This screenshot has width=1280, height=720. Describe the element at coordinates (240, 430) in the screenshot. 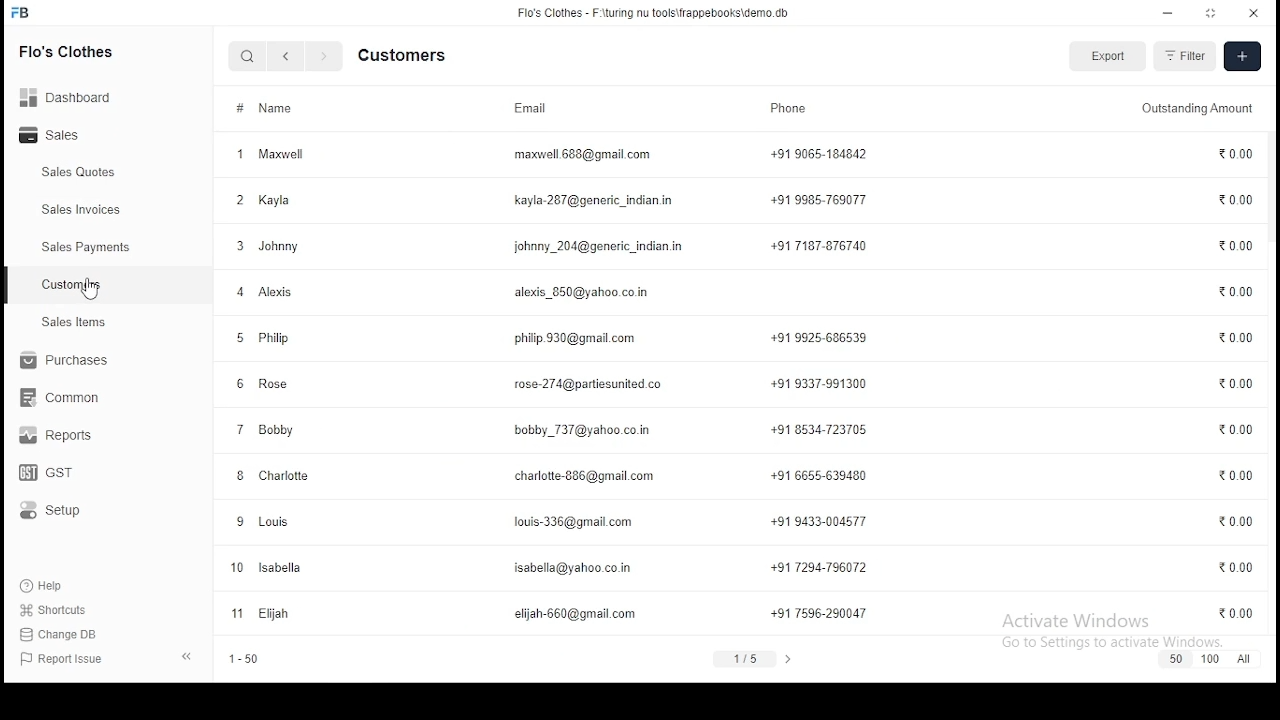

I see `7` at that location.